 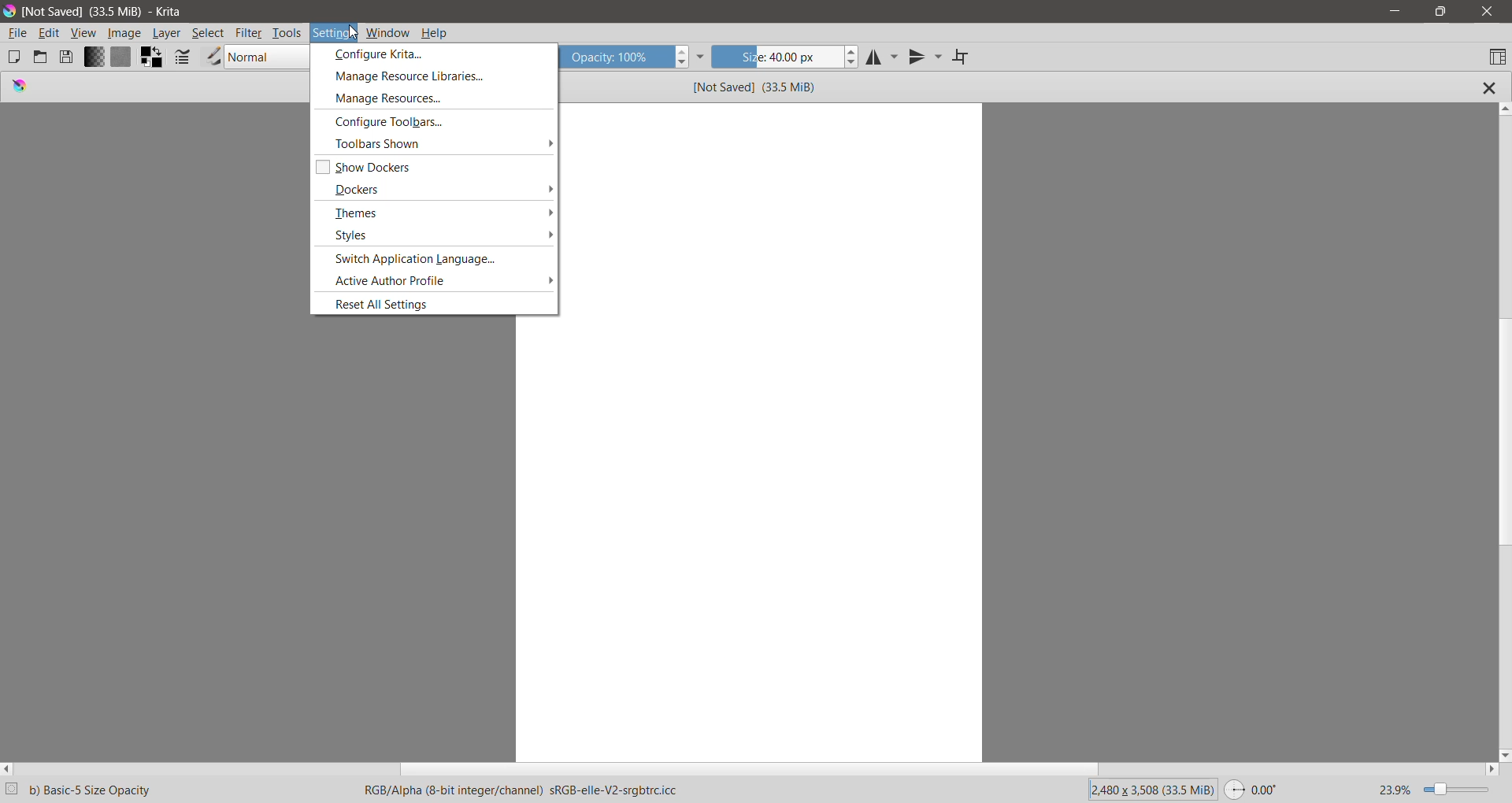 I want to click on More Tools, so click(x=702, y=56).